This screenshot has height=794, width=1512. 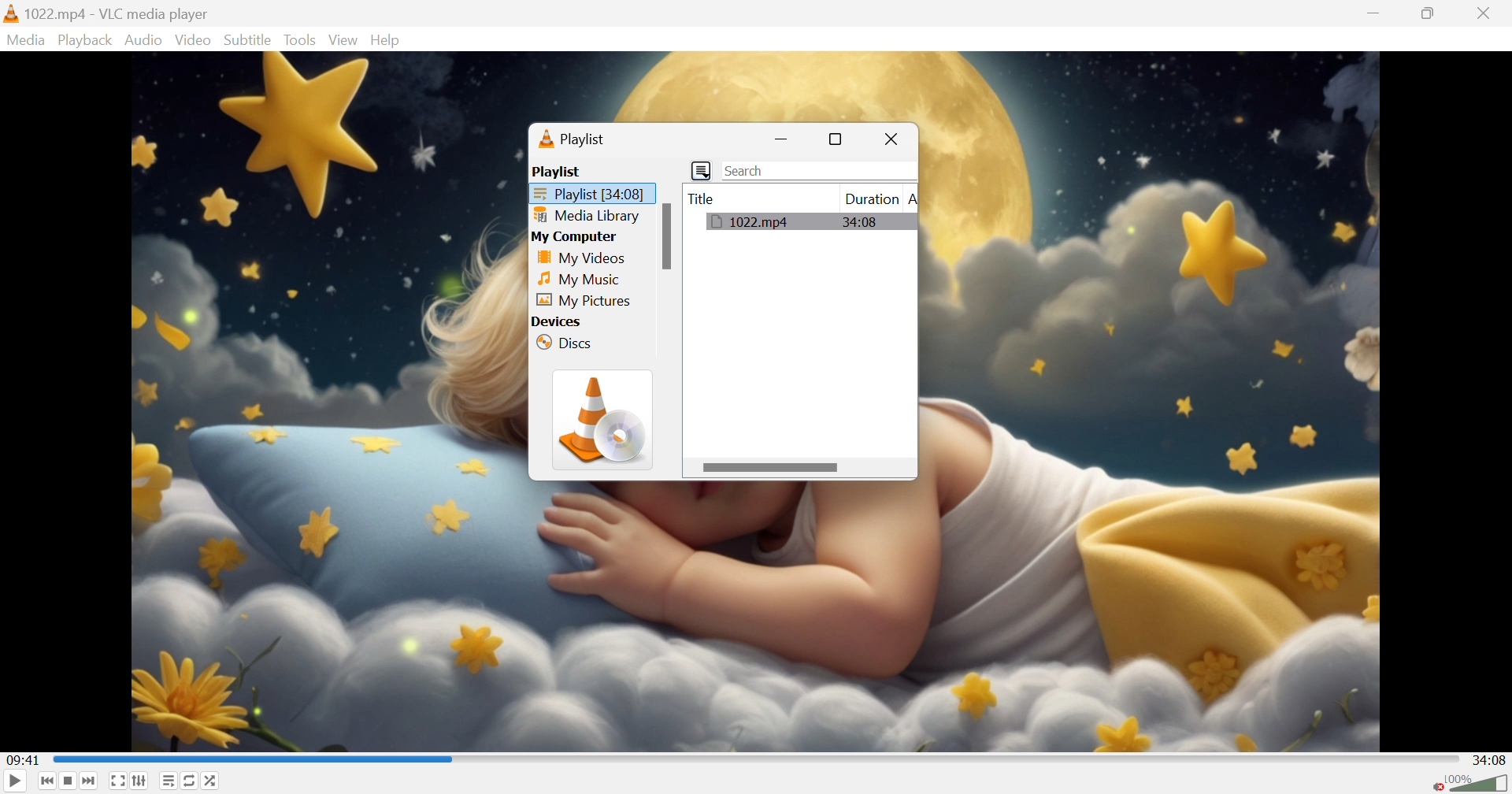 I want to click on Click to toggle between loop all, loop one and no loop, so click(x=192, y=781).